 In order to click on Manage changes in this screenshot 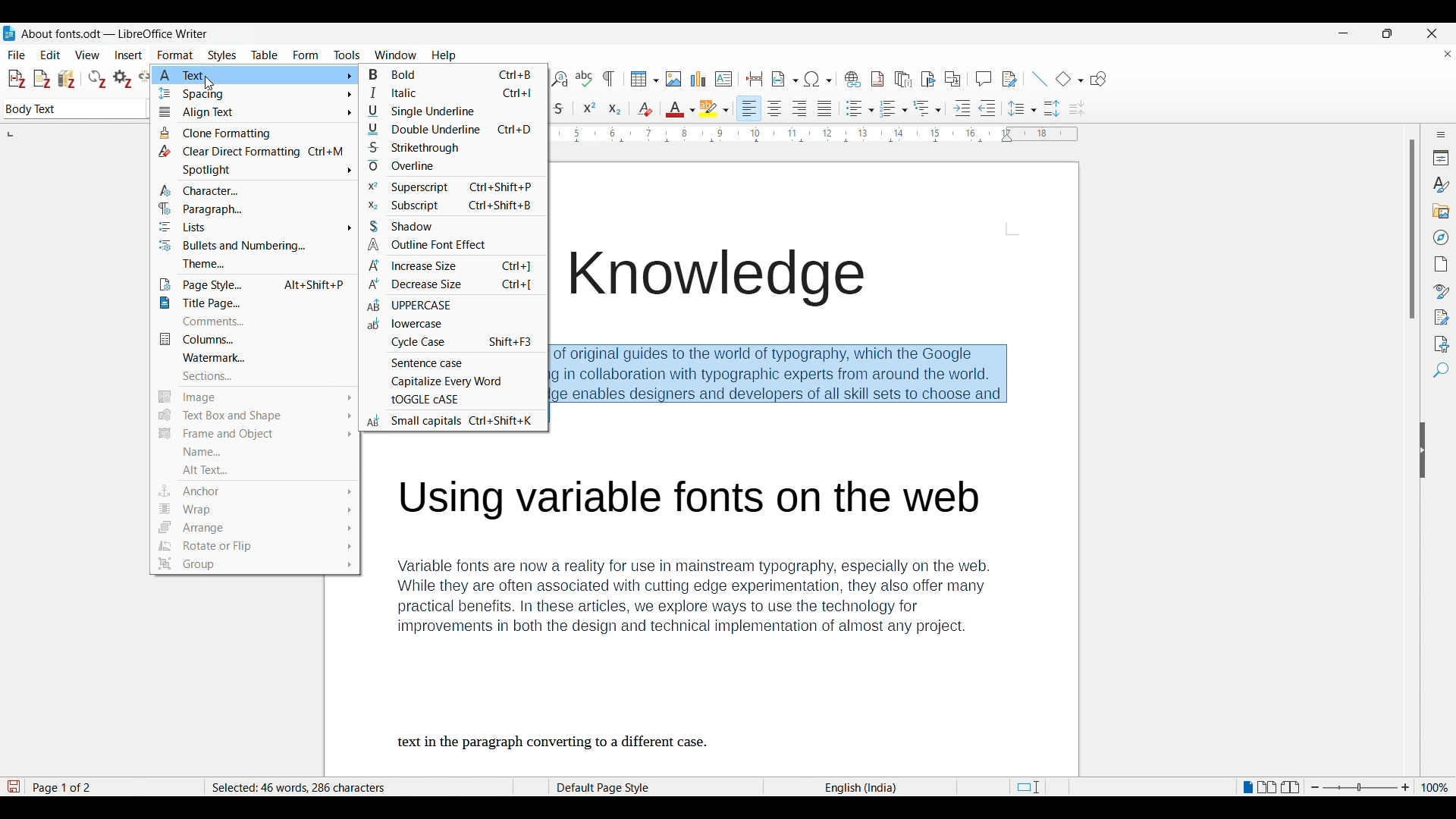, I will do `click(1442, 318)`.